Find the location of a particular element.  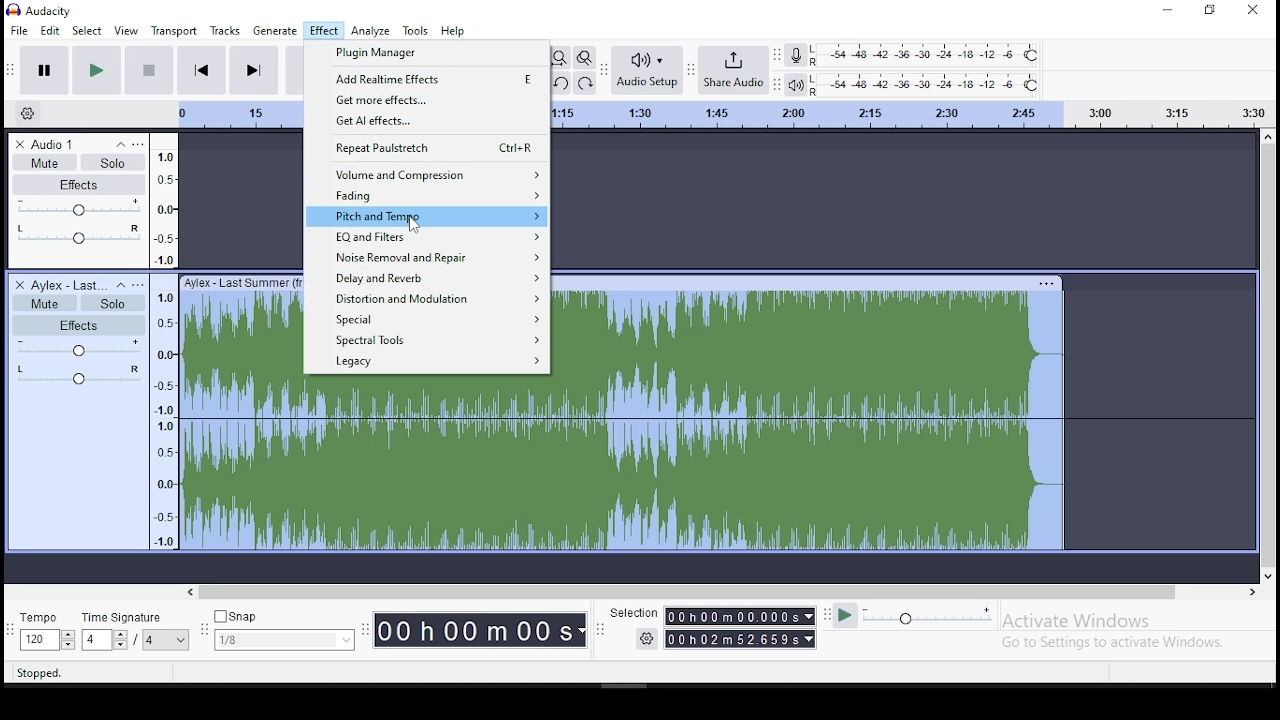

scroll bar is located at coordinates (725, 592).